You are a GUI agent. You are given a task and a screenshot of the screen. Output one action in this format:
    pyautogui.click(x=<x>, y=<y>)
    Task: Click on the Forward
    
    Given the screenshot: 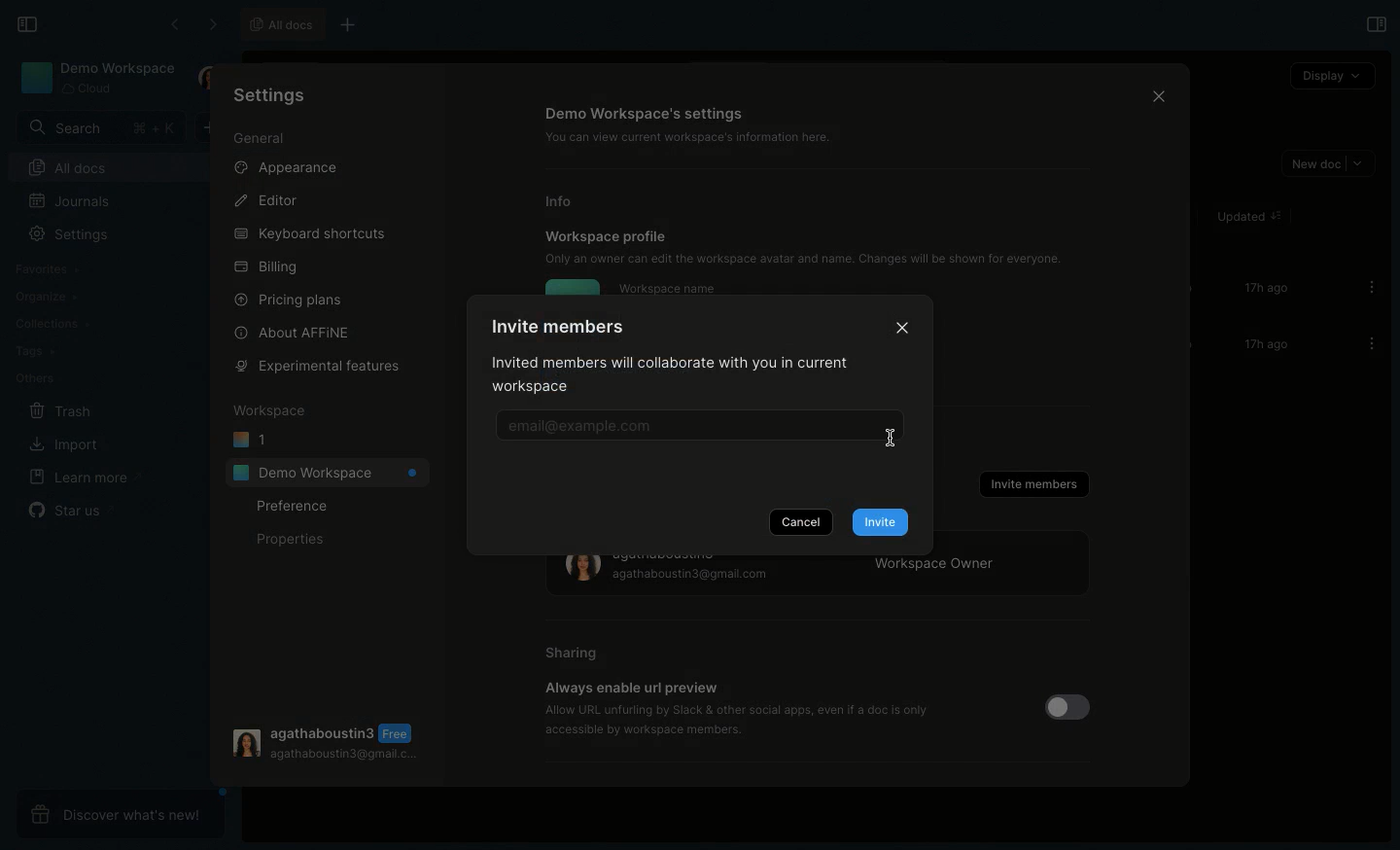 What is the action you would take?
    pyautogui.click(x=210, y=23)
    